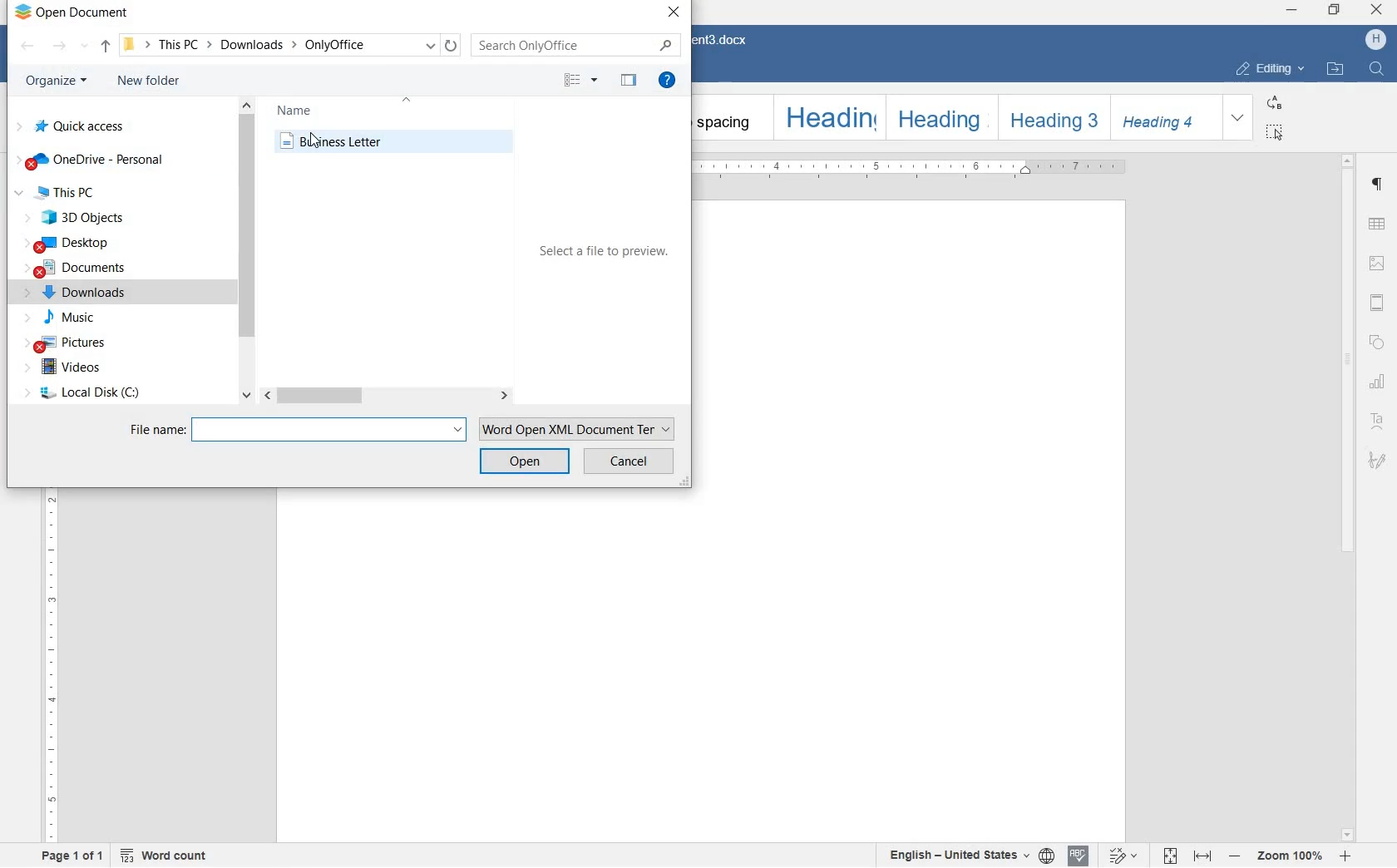  What do you see at coordinates (966, 855) in the screenshot?
I see `english - united states` at bounding box center [966, 855].